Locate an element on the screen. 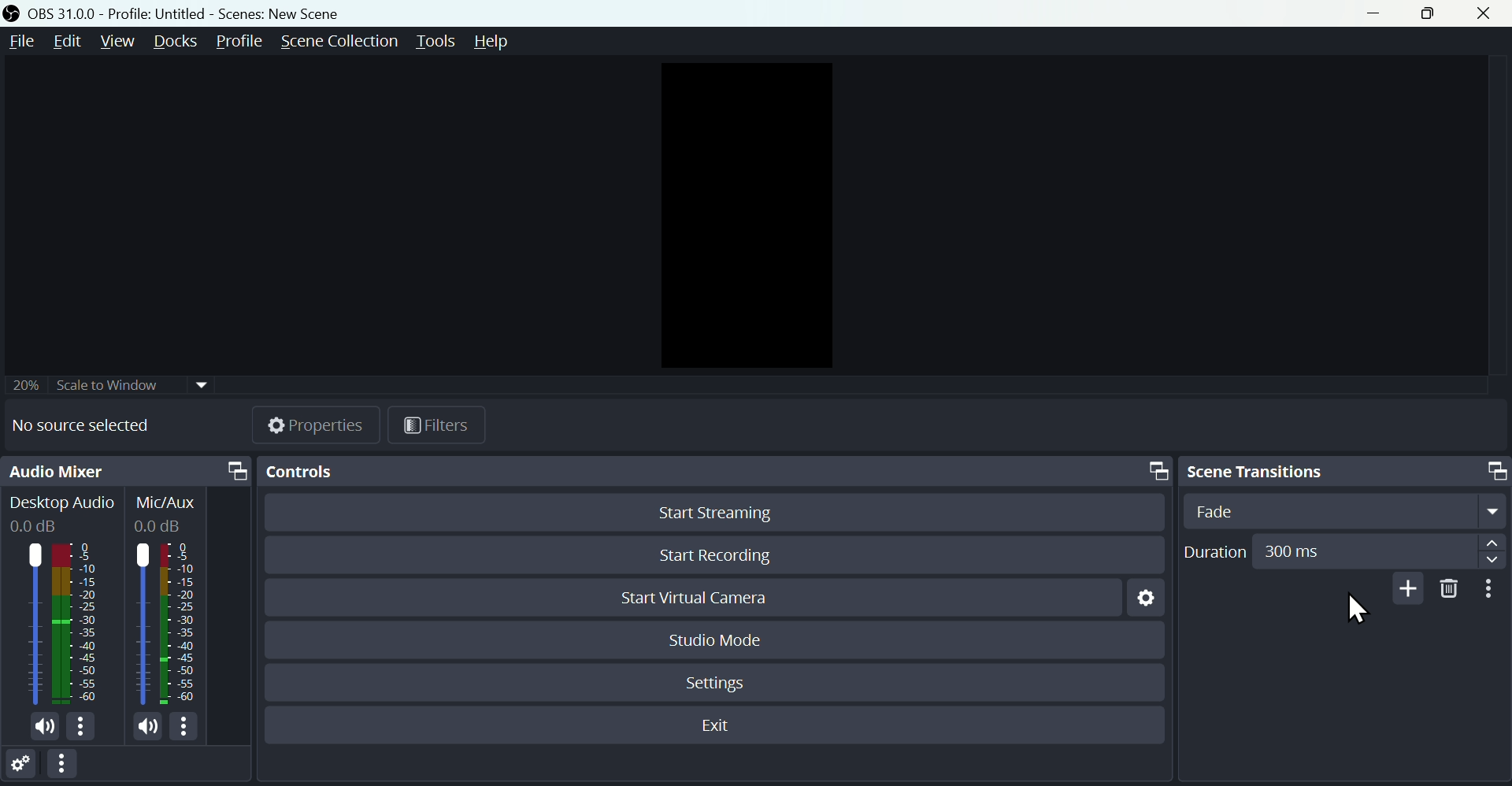 The width and height of the screenshot is (1512, 786). view is located at coordinates (117, 40).